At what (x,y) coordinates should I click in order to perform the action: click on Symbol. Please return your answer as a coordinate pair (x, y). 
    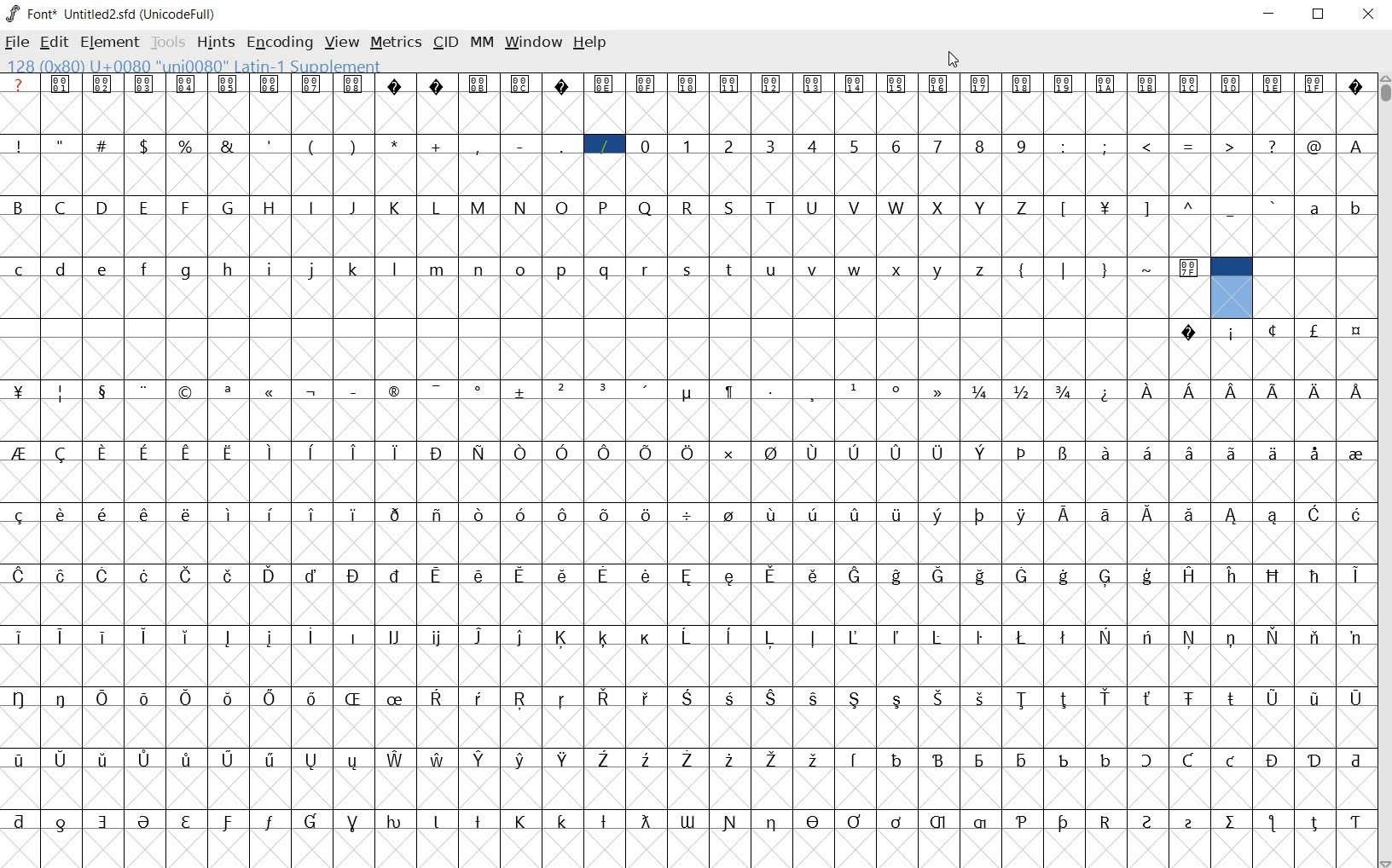
    Looking at the image, I should click on (687, 638).